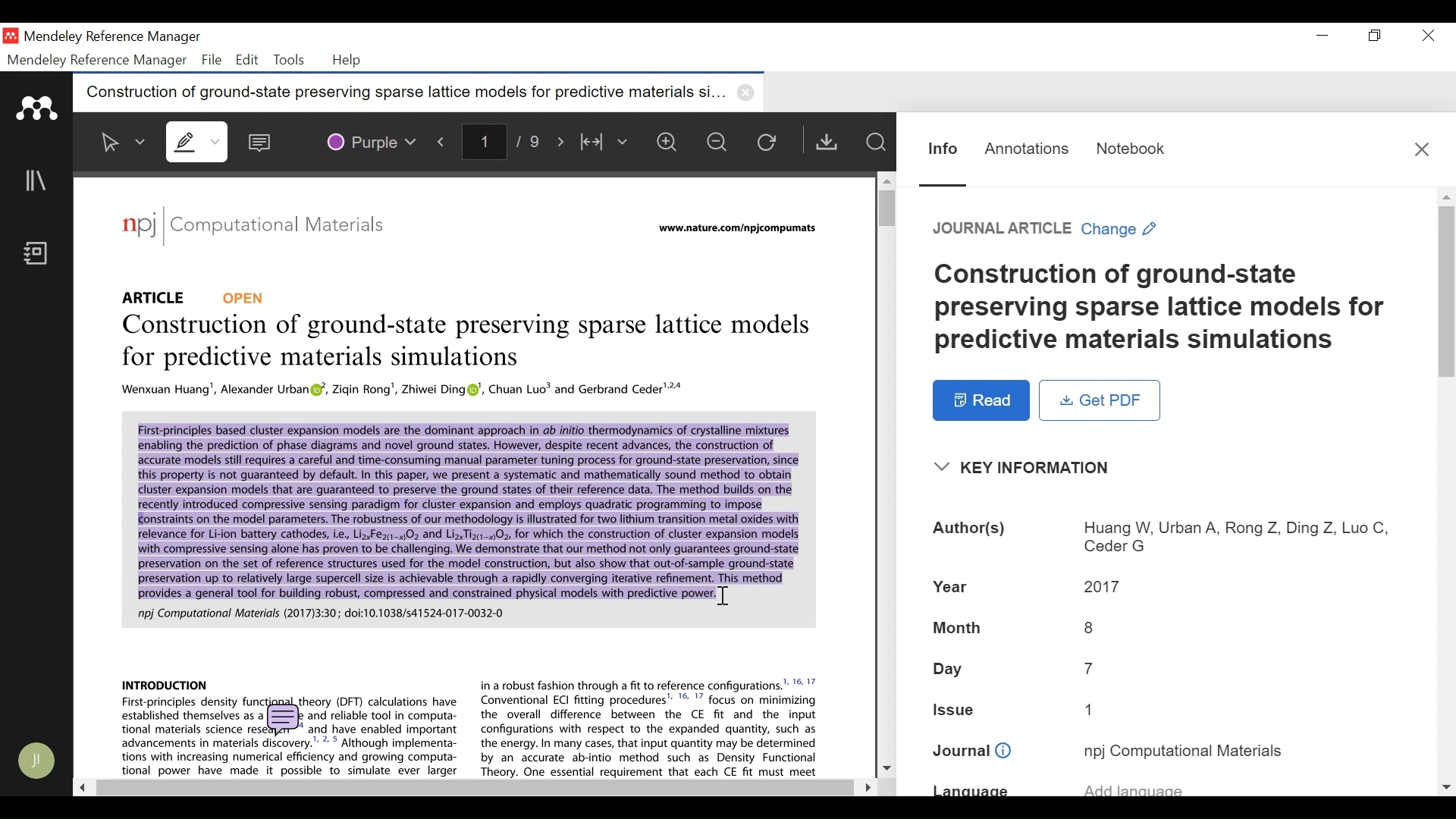  What do you see at coordinates (80, 786) in the screenshot?
I see `Scroll Left` at bounding box center [80, 786].